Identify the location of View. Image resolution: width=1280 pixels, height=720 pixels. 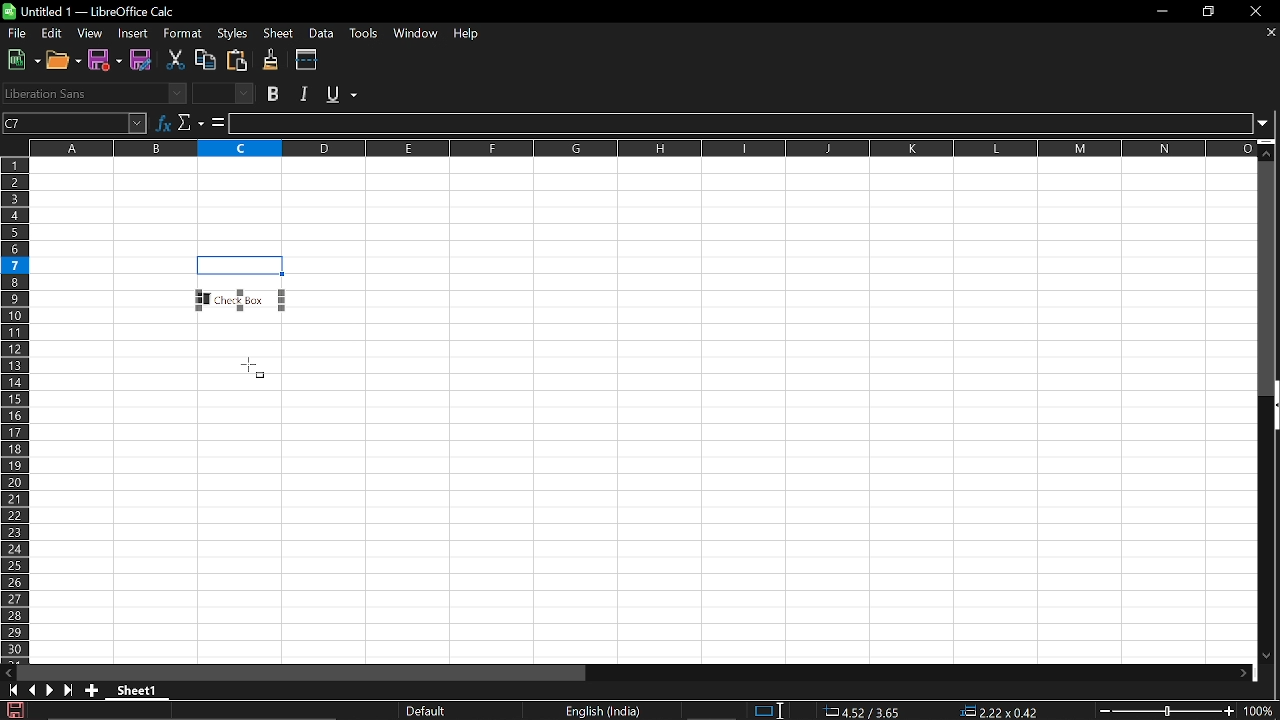
(90, 34).